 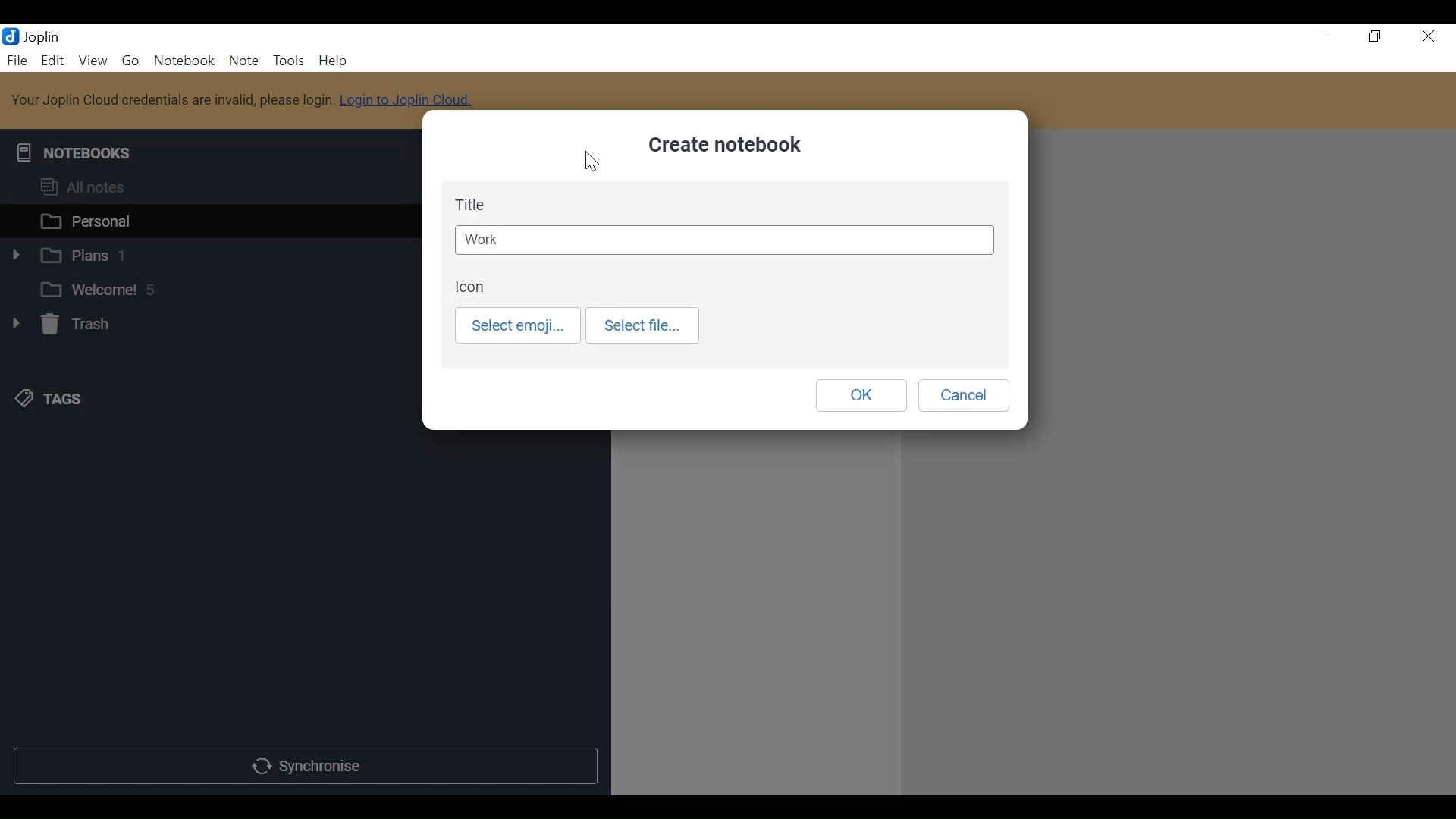 I want to click on Notebook, so click(x=187, y=60).